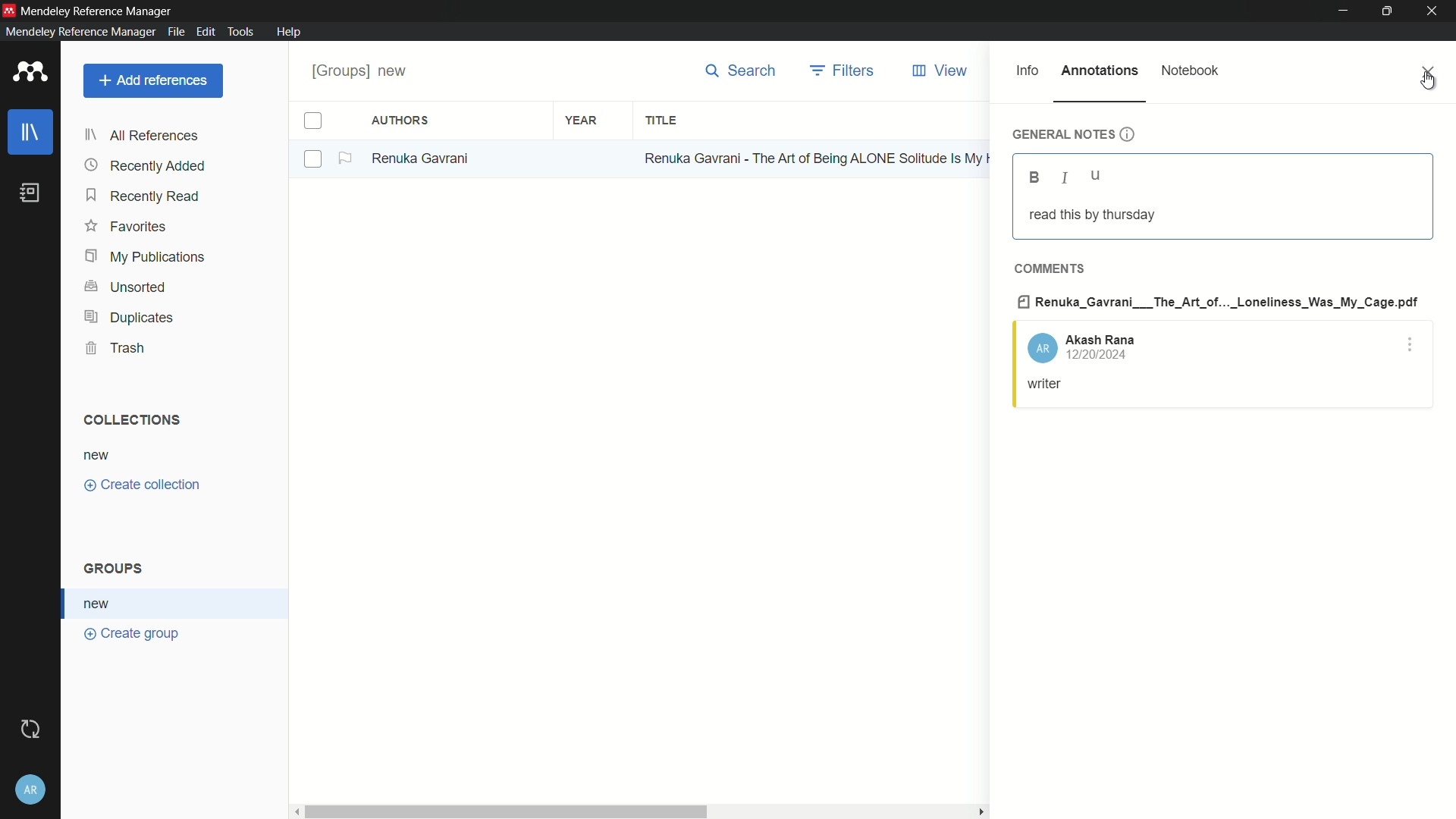  What do you see at coordinates (662, 121) in the screenshot?
I see `title` at bounding box center [662, 121].